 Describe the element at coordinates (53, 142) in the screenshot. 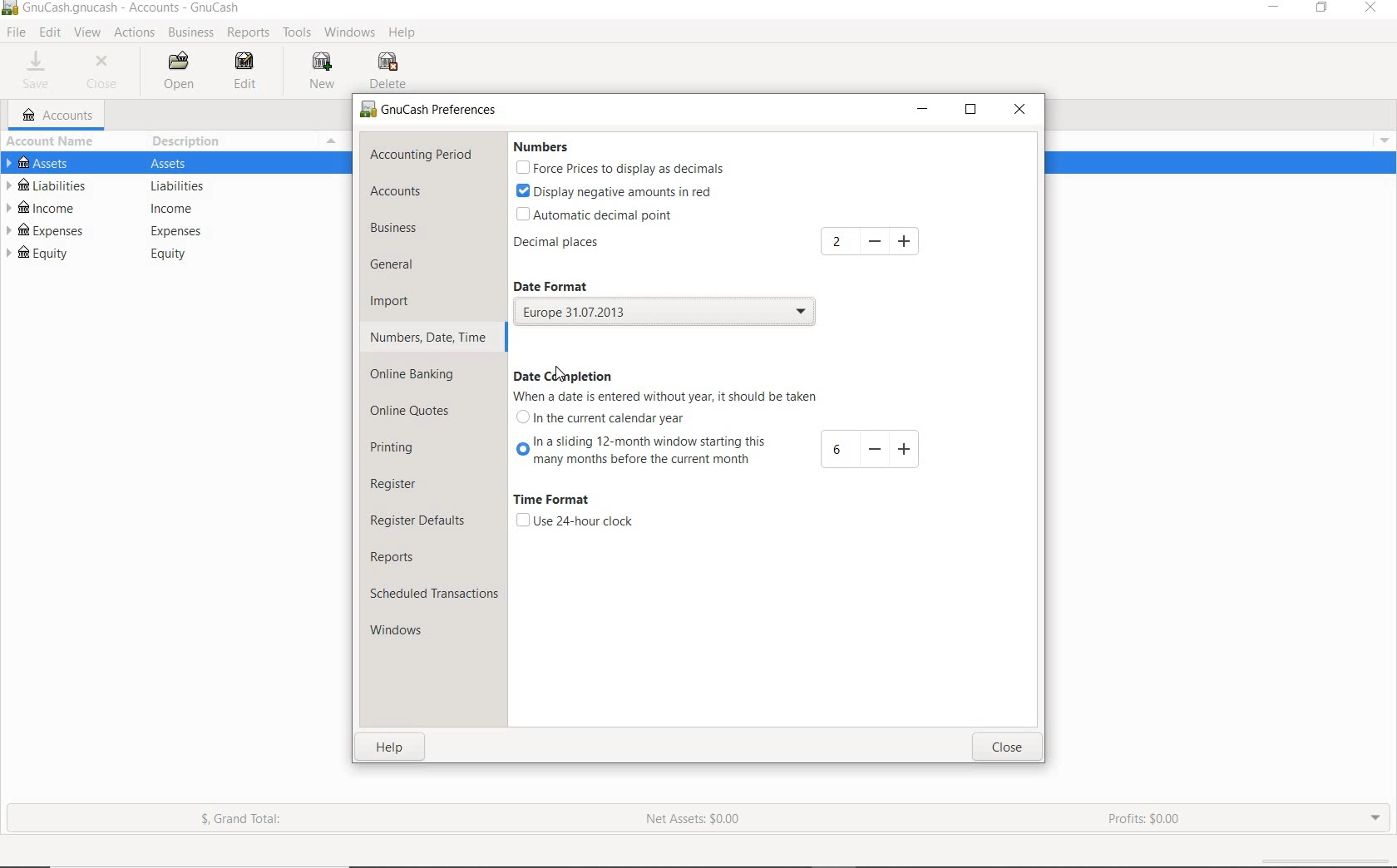

I see `ACCOUNT NAME` at that location.